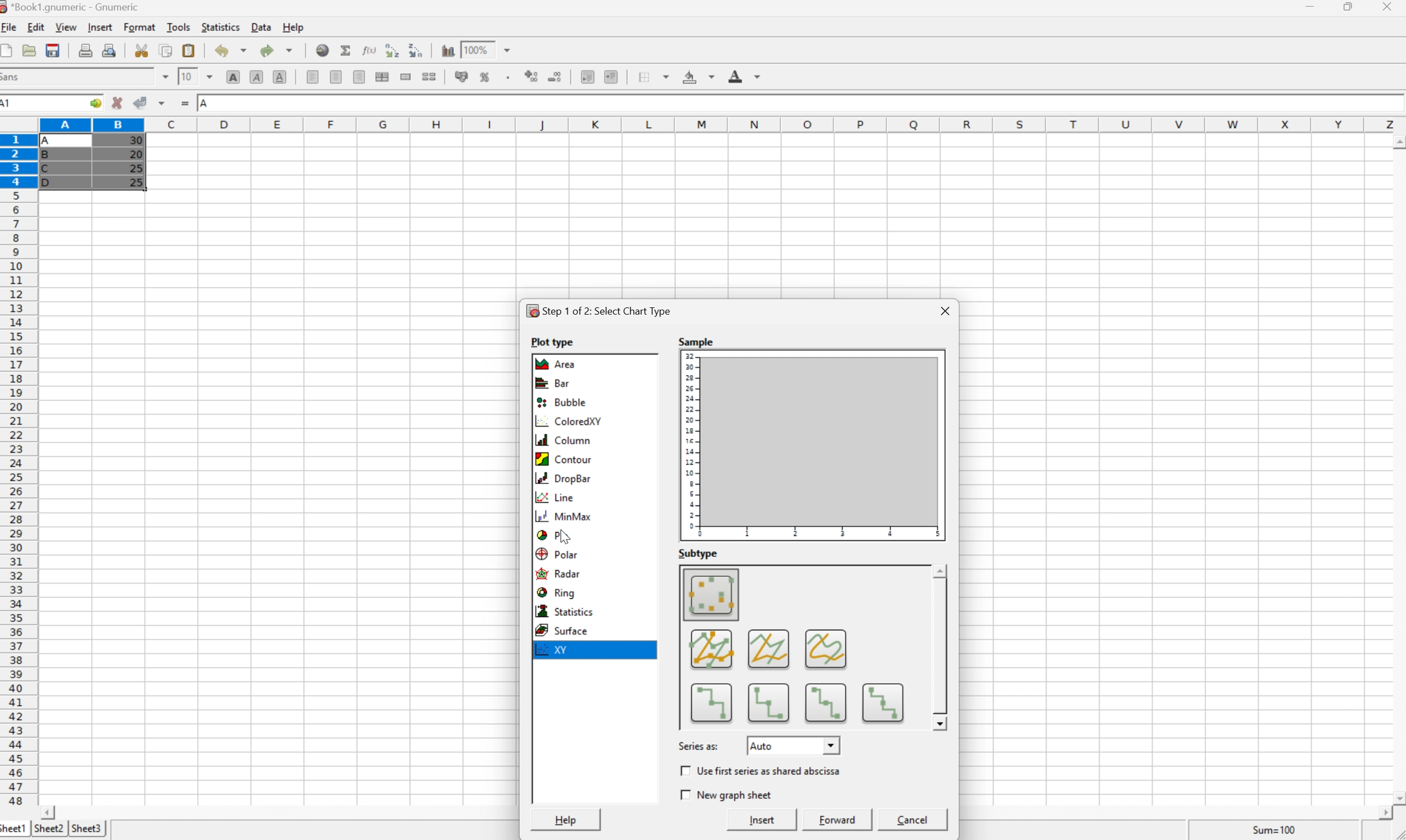 This screenshot has height=840, width=1406. I want to click on Plot type, so click(551, 342).